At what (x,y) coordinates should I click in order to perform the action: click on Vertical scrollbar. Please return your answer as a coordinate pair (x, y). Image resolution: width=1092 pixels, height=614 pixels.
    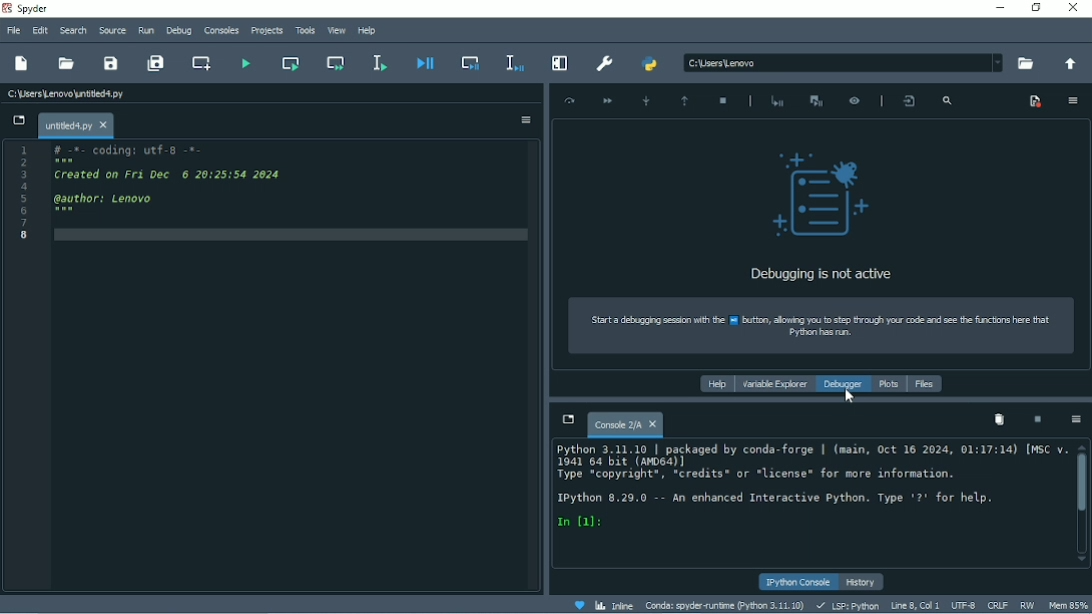
    Looking at the image, I should click on (1082, 484).